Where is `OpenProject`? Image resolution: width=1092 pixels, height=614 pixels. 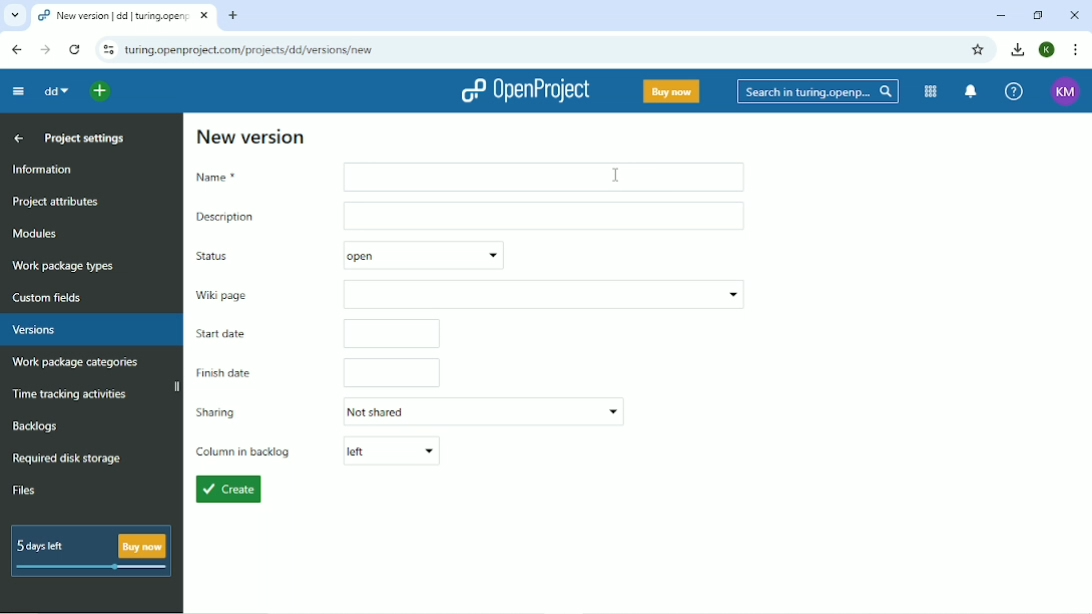 OpenProject is located at coordinates (525, 91).